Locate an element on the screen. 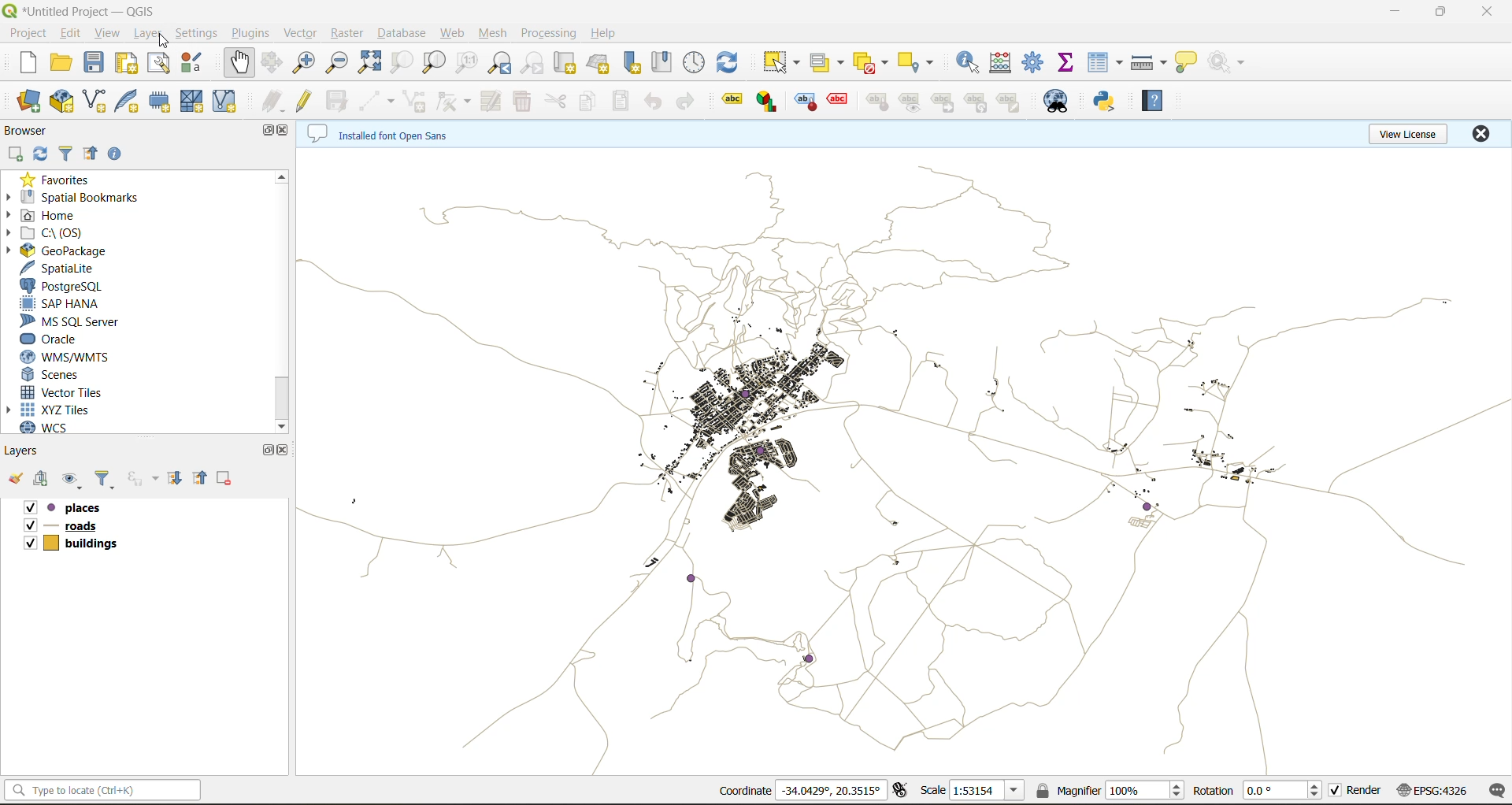 The image size is (1512, 805). c\:os is located at coordinates (80, 235).